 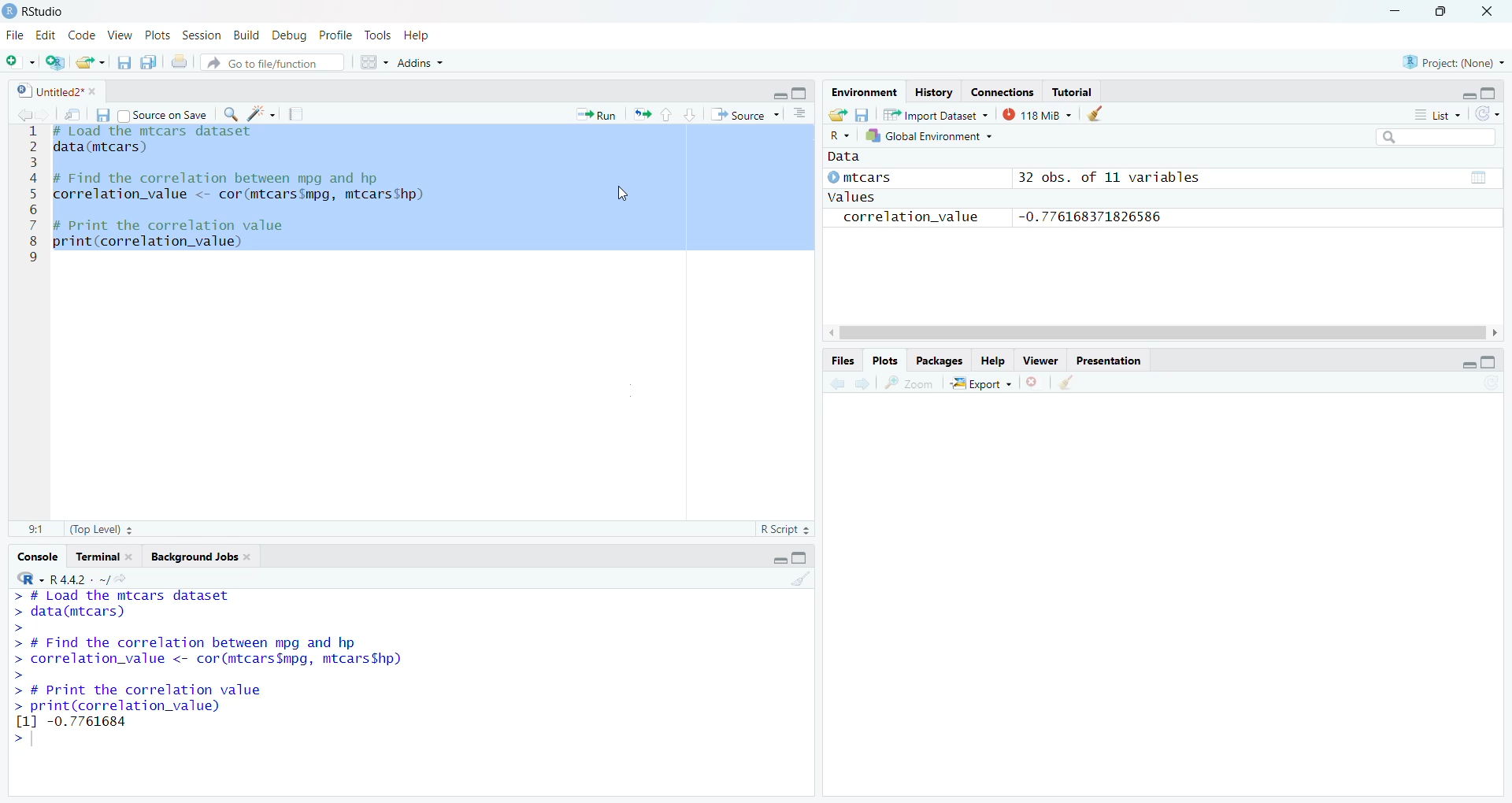 What do you see at coordinates (1465, 364) in the screenshot?
I see `Minimize` at bounding box center [1465, 364].